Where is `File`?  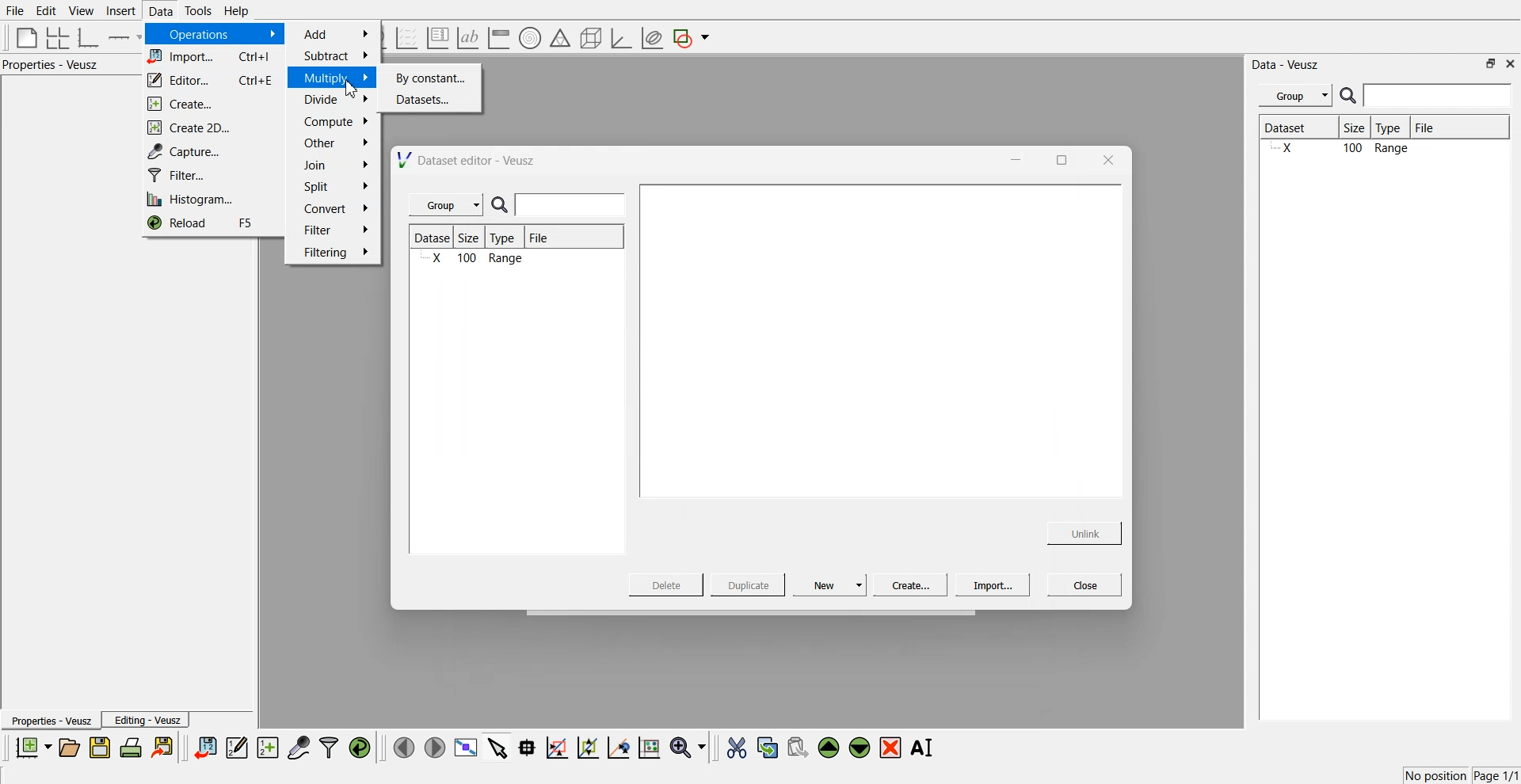 File is located at coordinates (1439, 127).